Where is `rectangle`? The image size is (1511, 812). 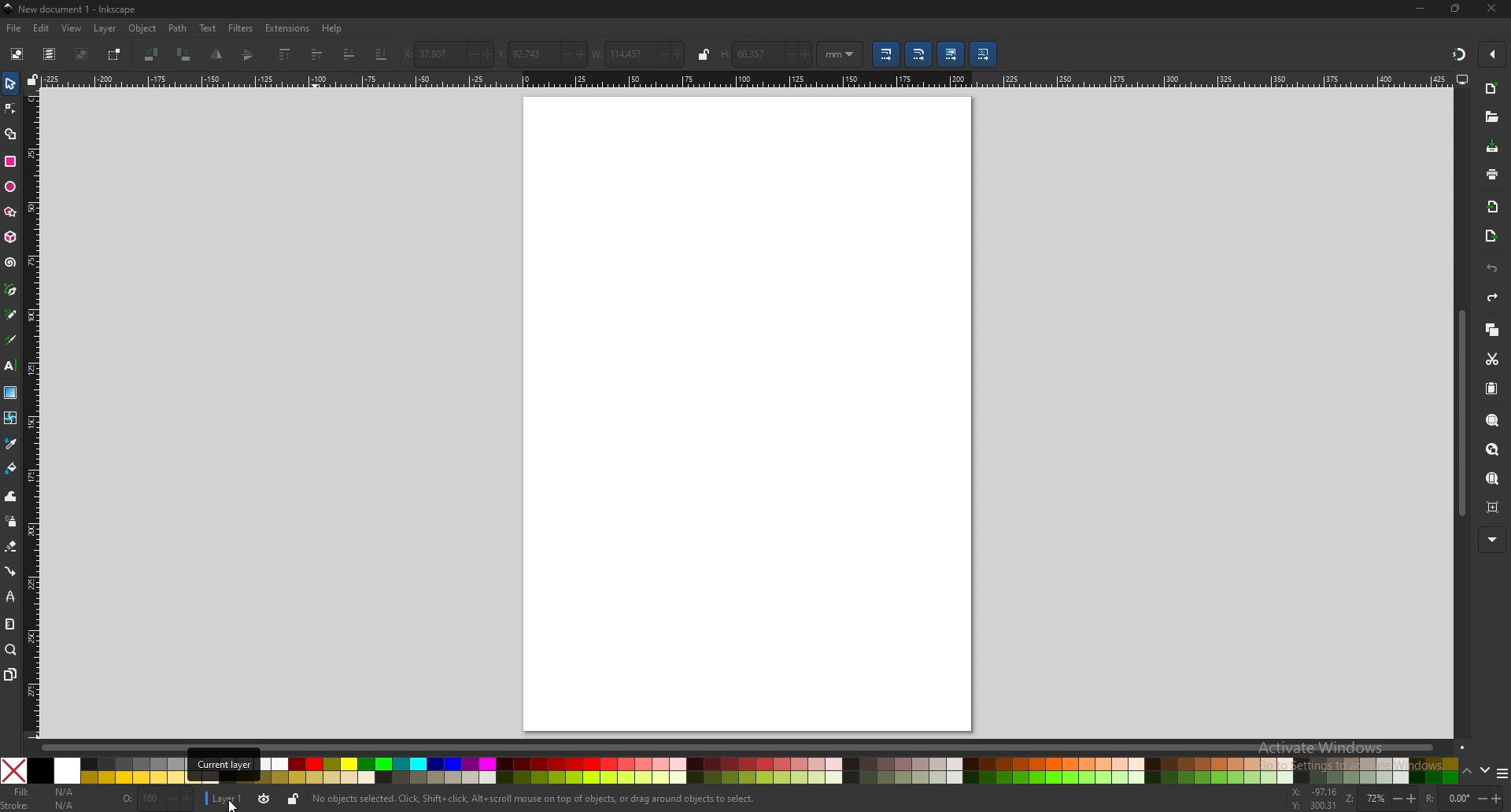
rectangle is located at coordinates (10, 161).